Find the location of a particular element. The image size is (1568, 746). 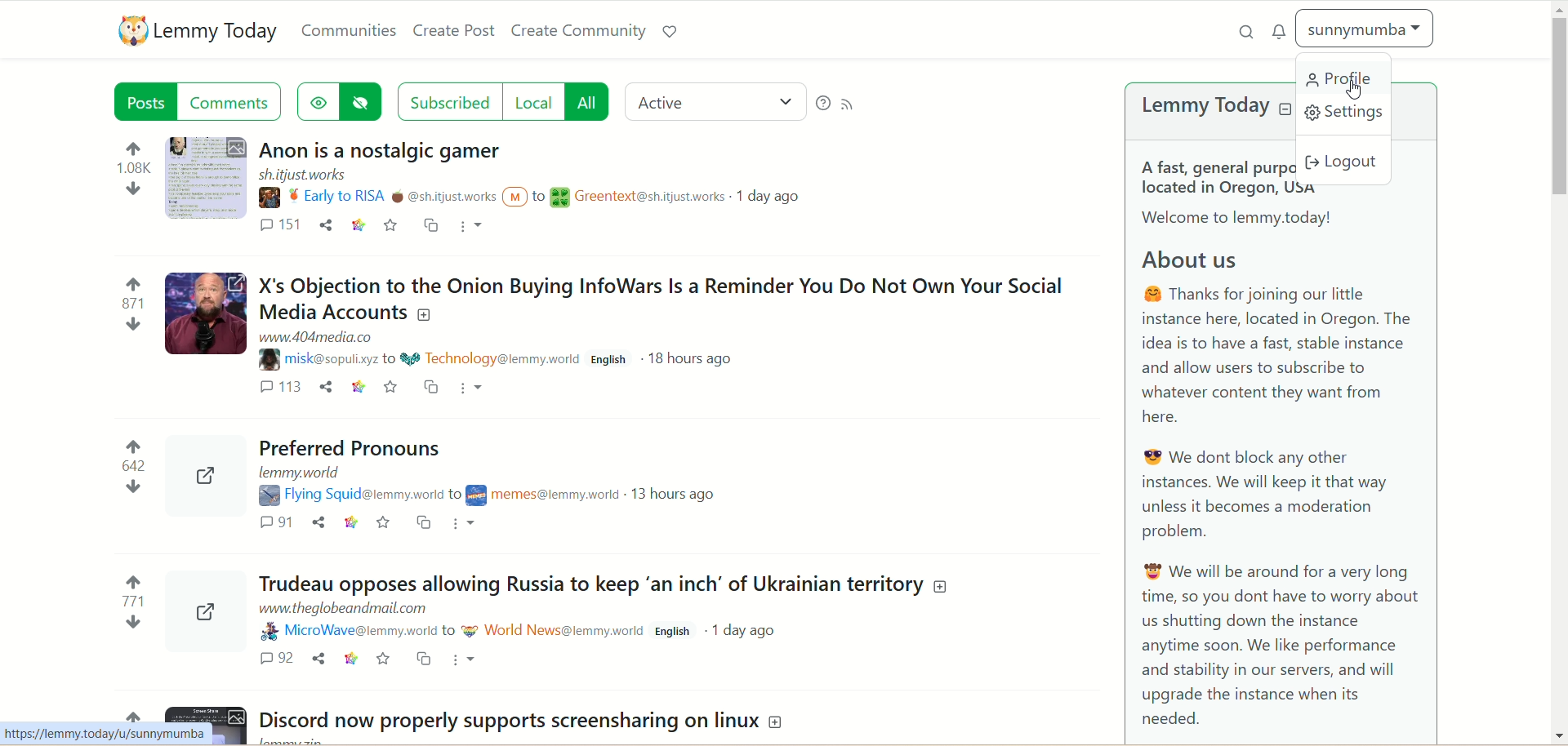

Votes is located at coordinates (131, 715).